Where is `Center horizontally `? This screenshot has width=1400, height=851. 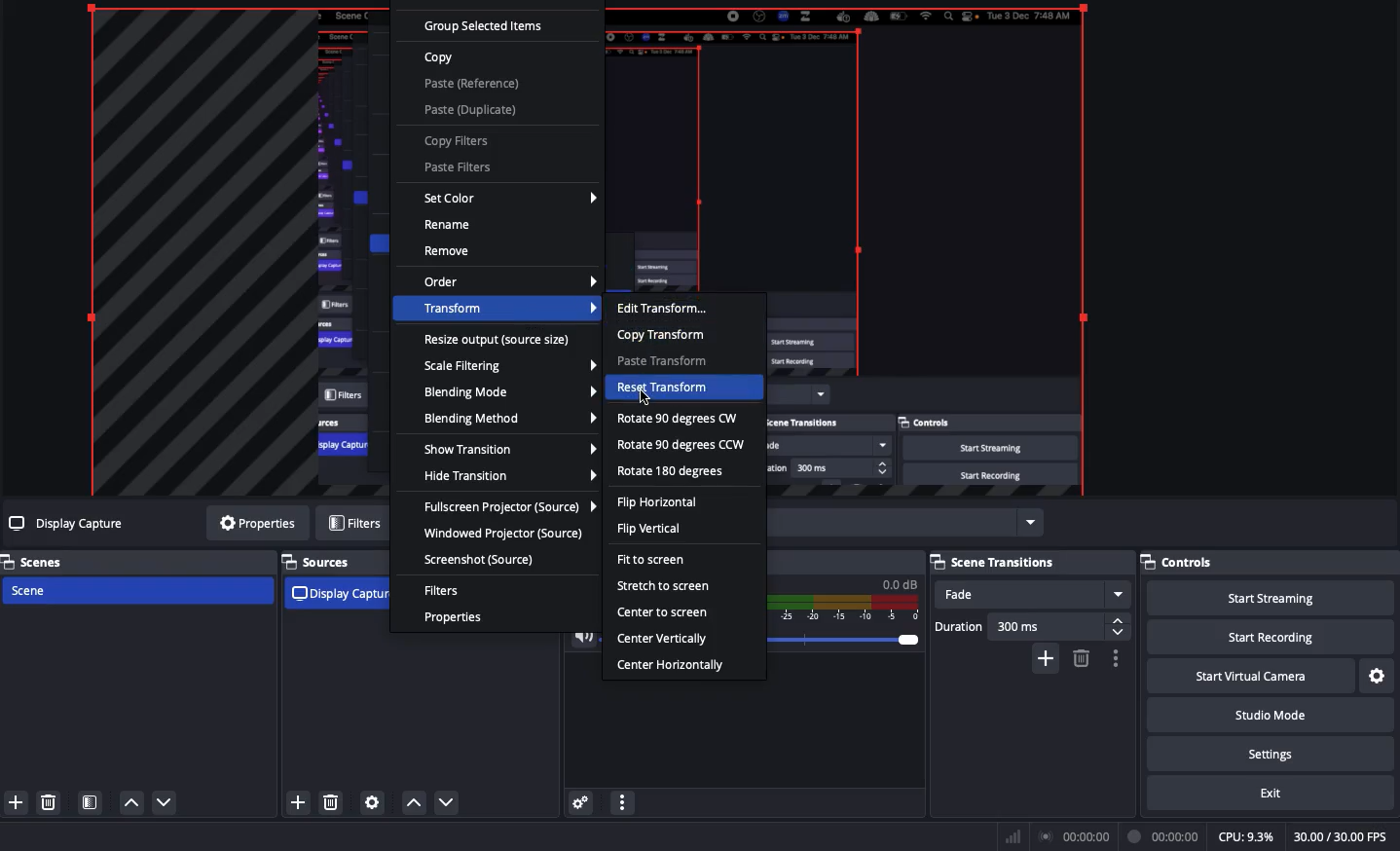
Center horizontally  is located at coordinates (675, 665).